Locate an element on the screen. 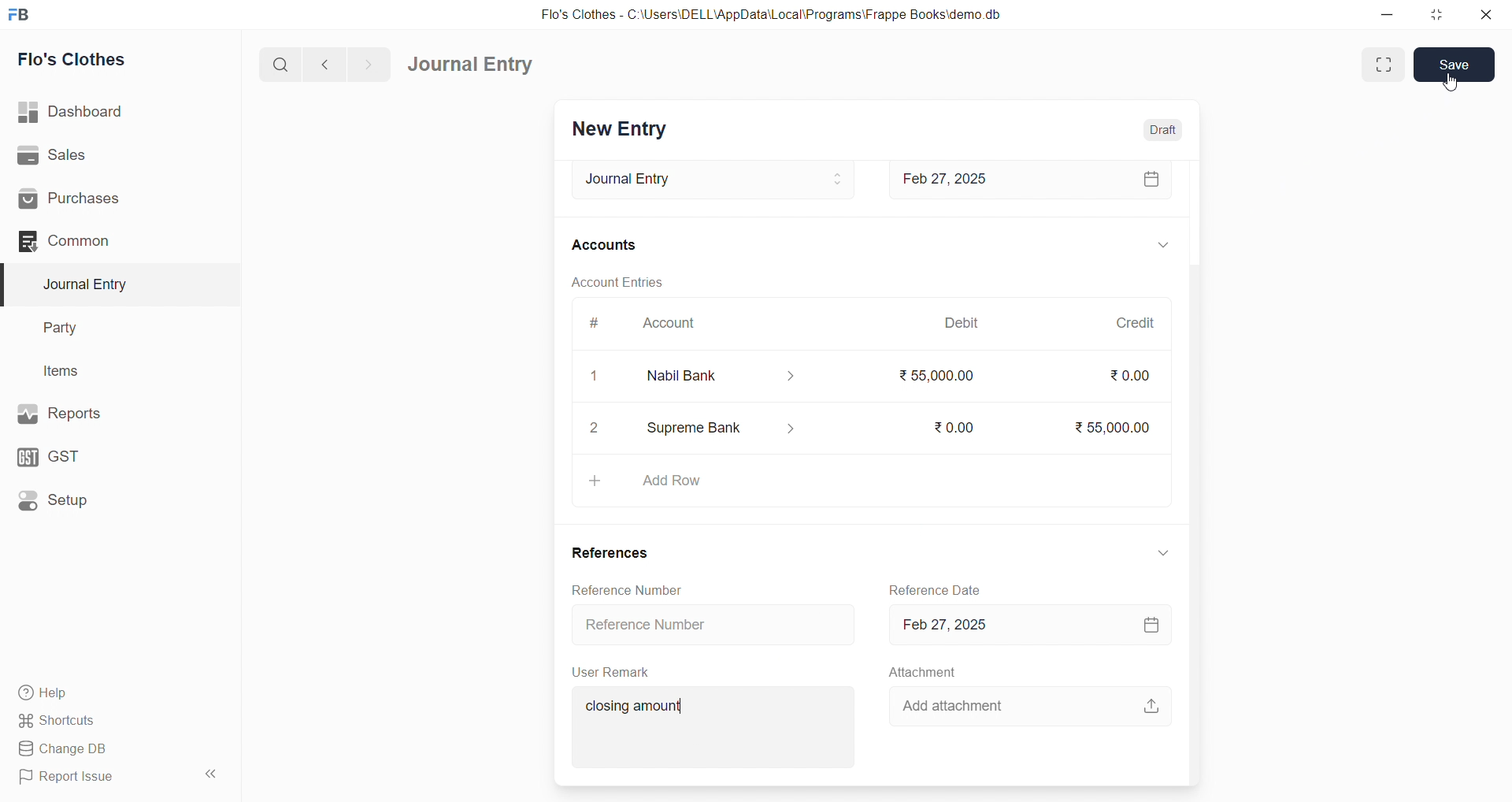  | Dashboard is located at coordinates (86, 113).